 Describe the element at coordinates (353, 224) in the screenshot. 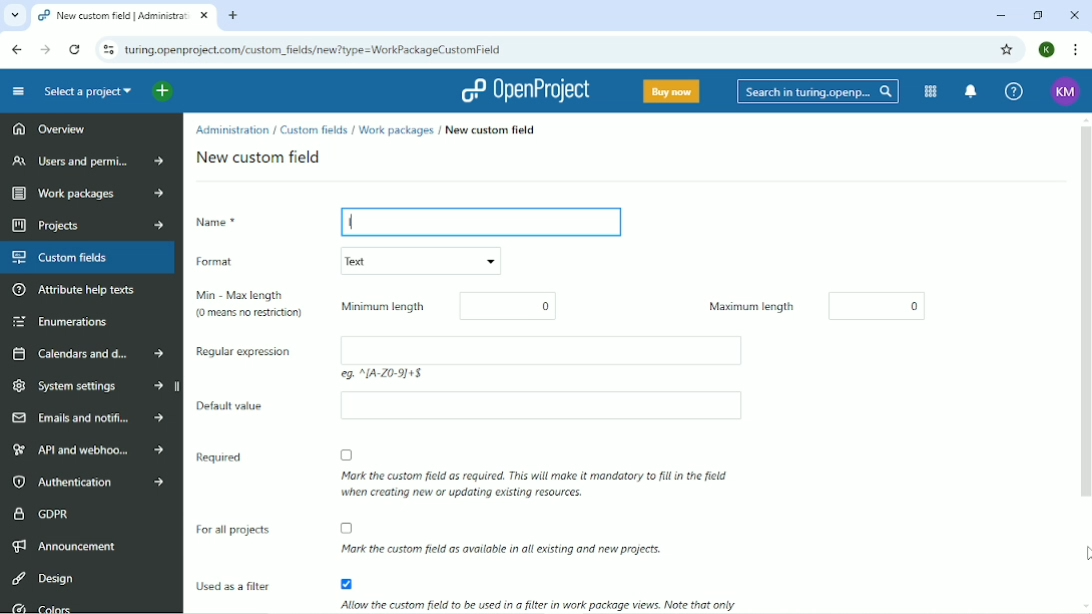

I see `Typing Cursor` at that location.